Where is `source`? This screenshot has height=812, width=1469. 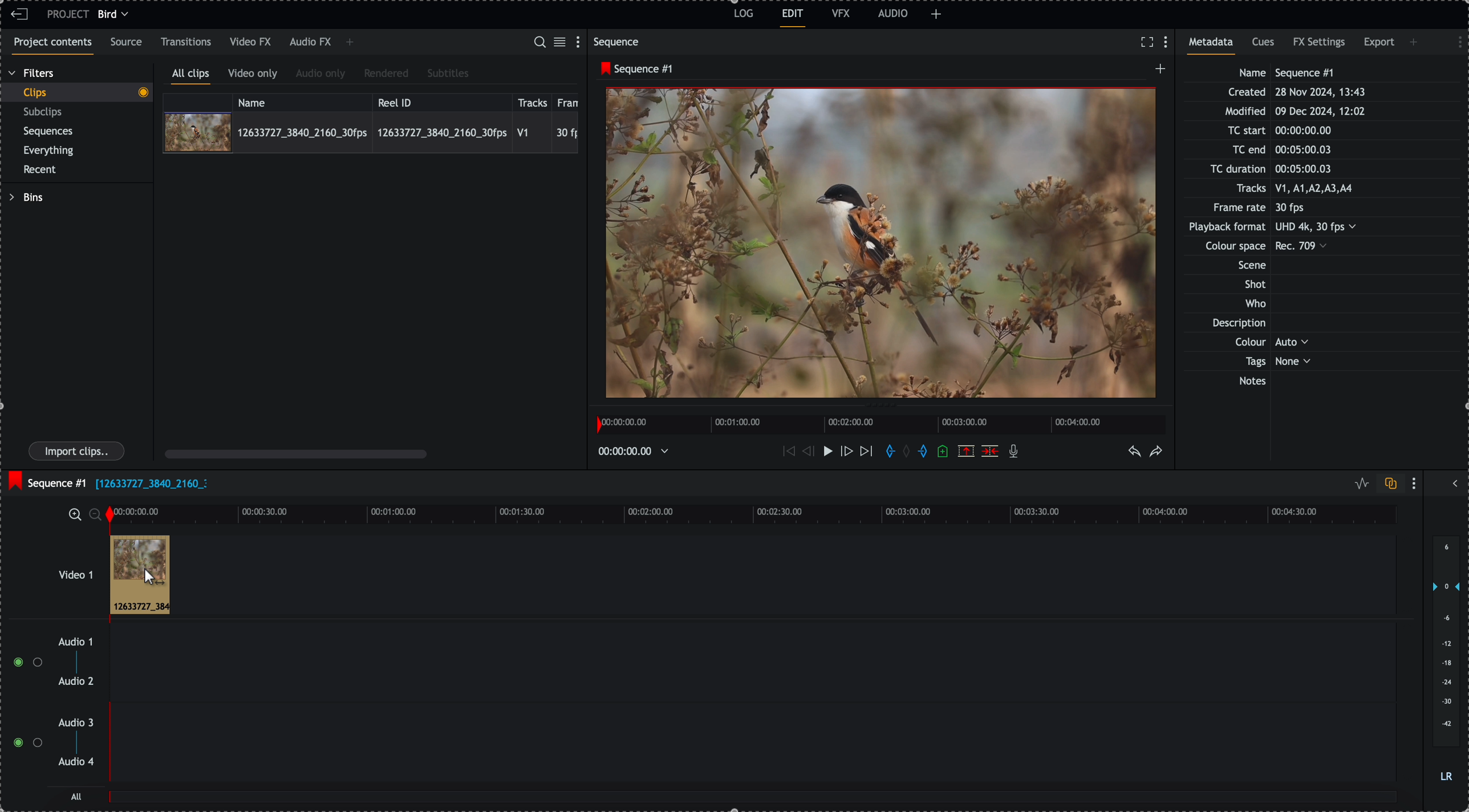
source is located at coordinates (128, 43).